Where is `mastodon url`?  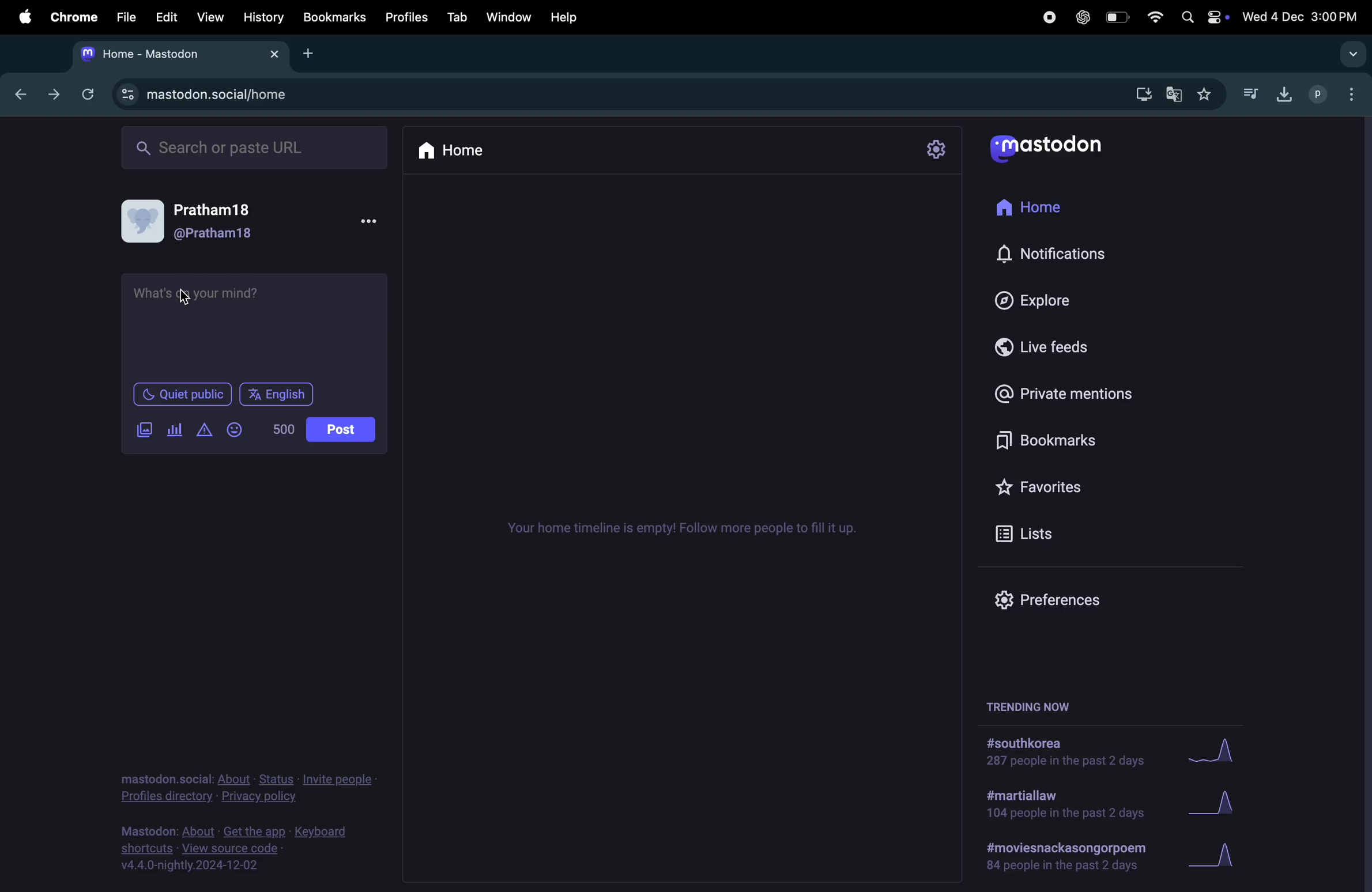
mastodon url is located at coordinates (224, 94).